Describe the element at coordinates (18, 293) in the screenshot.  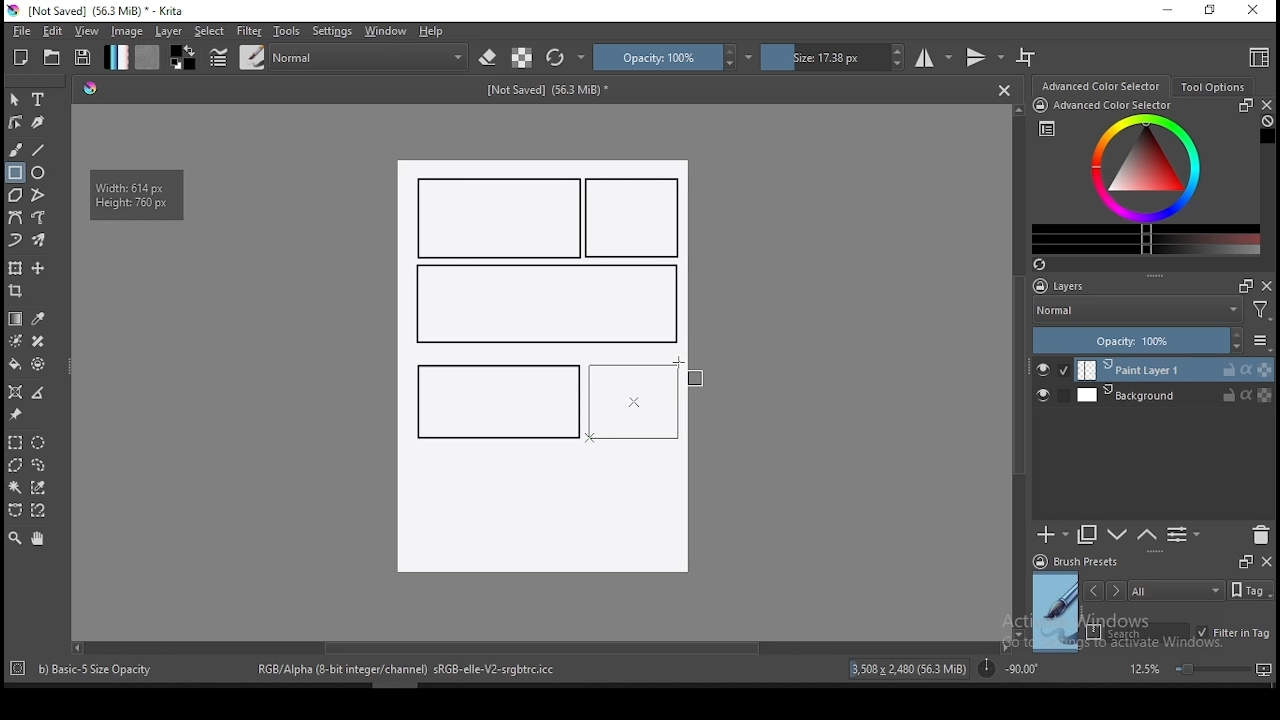
I see `crop tool` at that location.